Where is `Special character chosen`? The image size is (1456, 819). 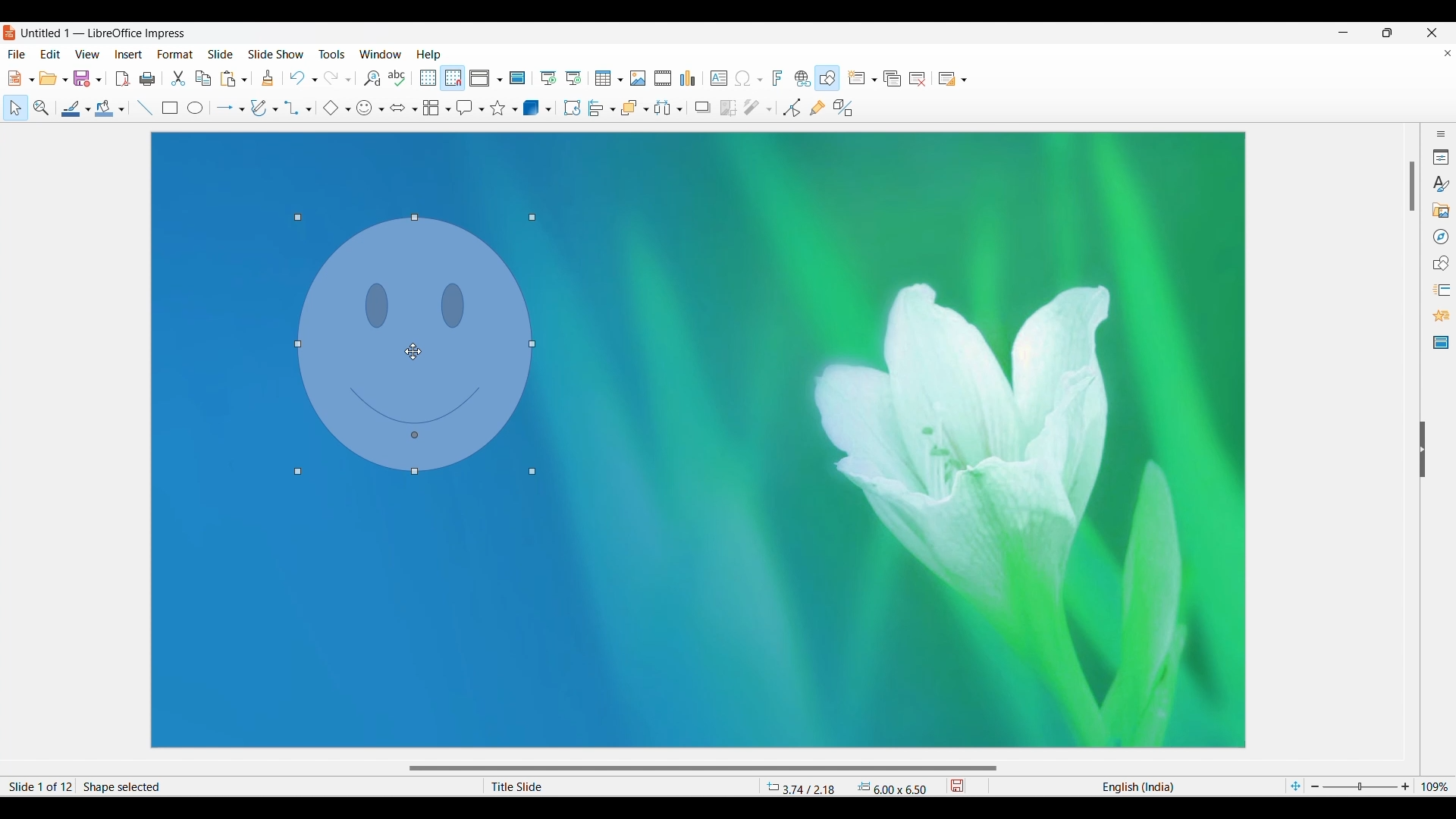
Special character chosen is located at coordinates (742, 79).